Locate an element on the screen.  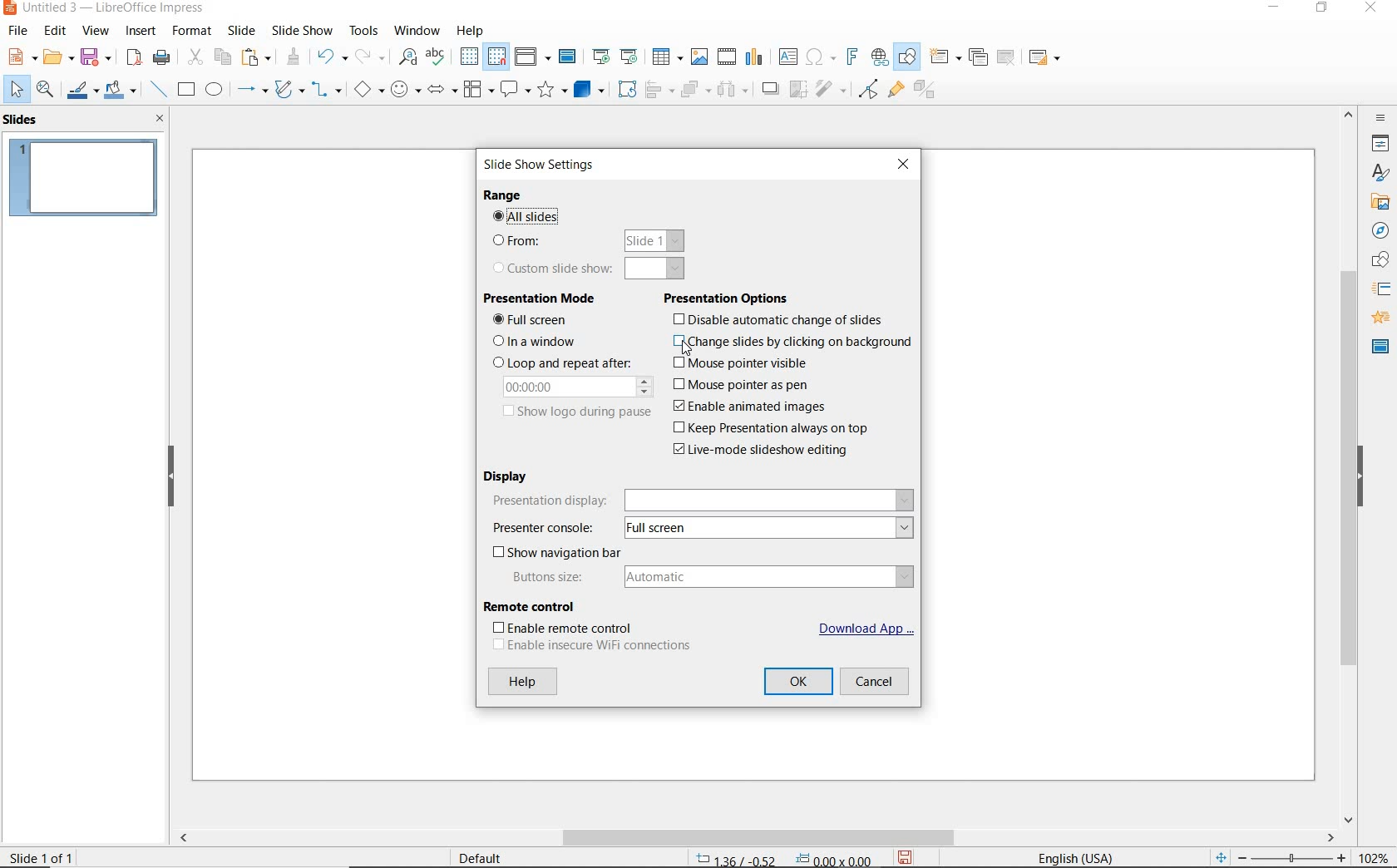
INSERT LINE is located at coordinates (159, 89).